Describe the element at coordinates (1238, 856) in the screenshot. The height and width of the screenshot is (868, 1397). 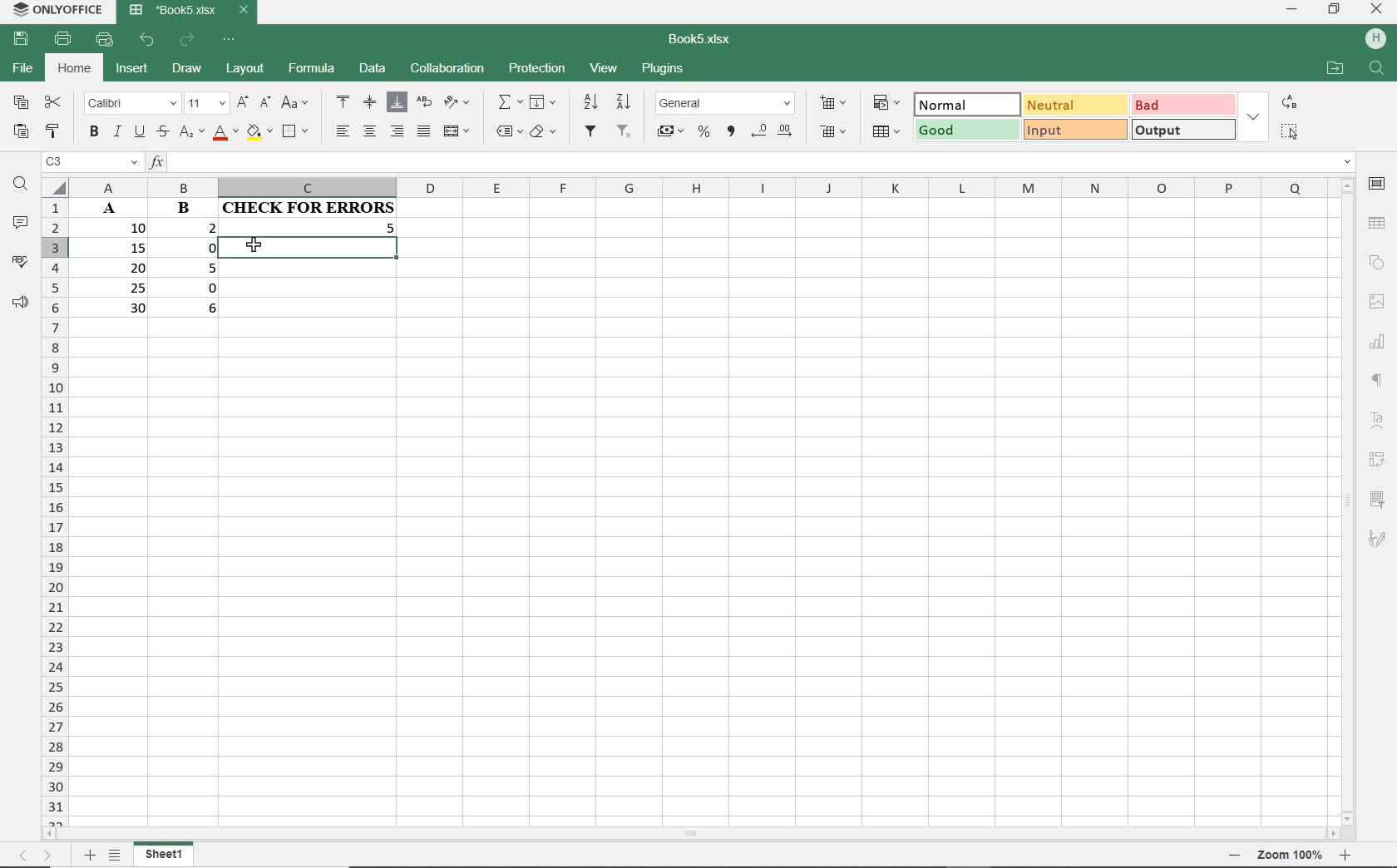
I see `` at that location.